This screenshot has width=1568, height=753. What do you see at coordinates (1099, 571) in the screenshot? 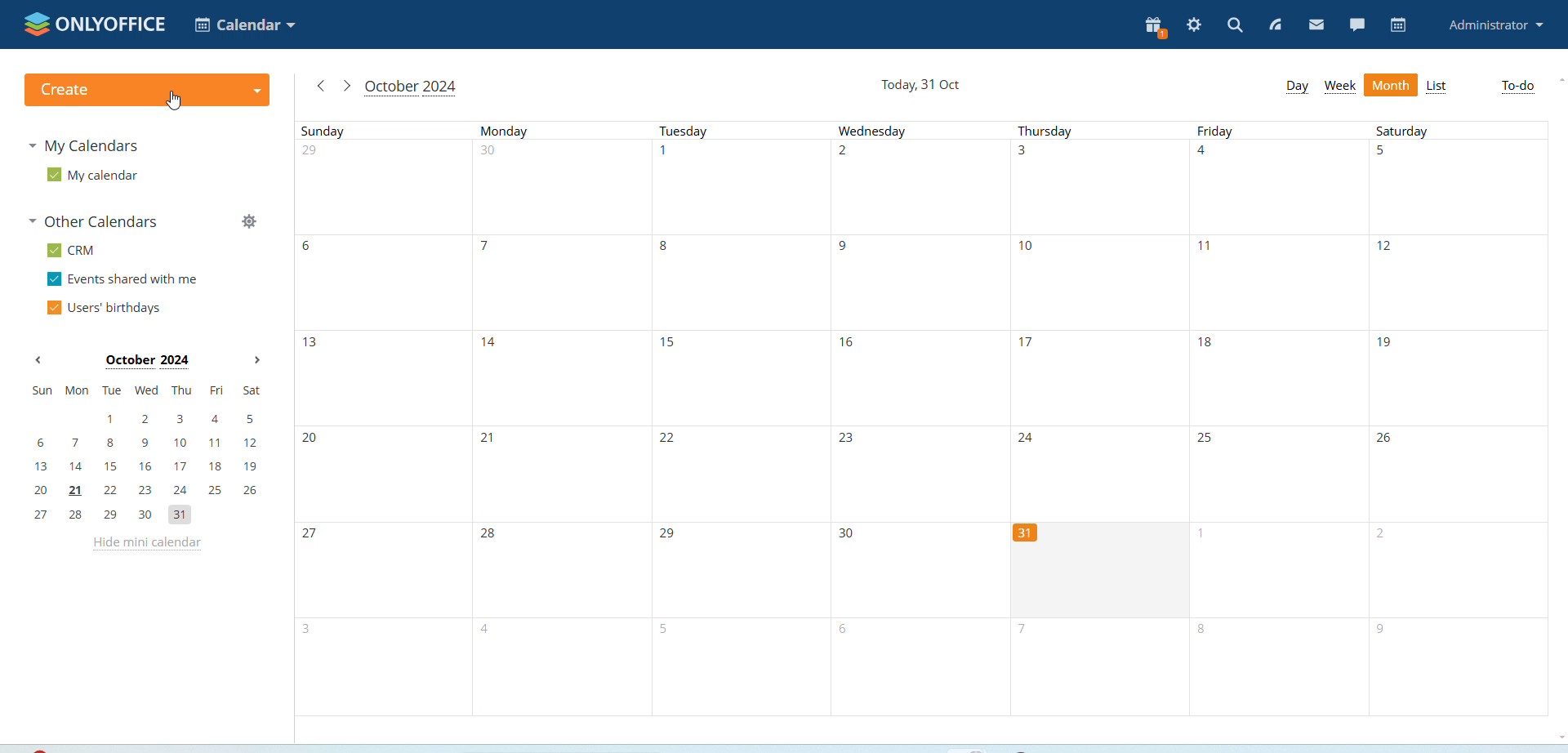
I see `cell for current date` at bounding box center [1099, 571].